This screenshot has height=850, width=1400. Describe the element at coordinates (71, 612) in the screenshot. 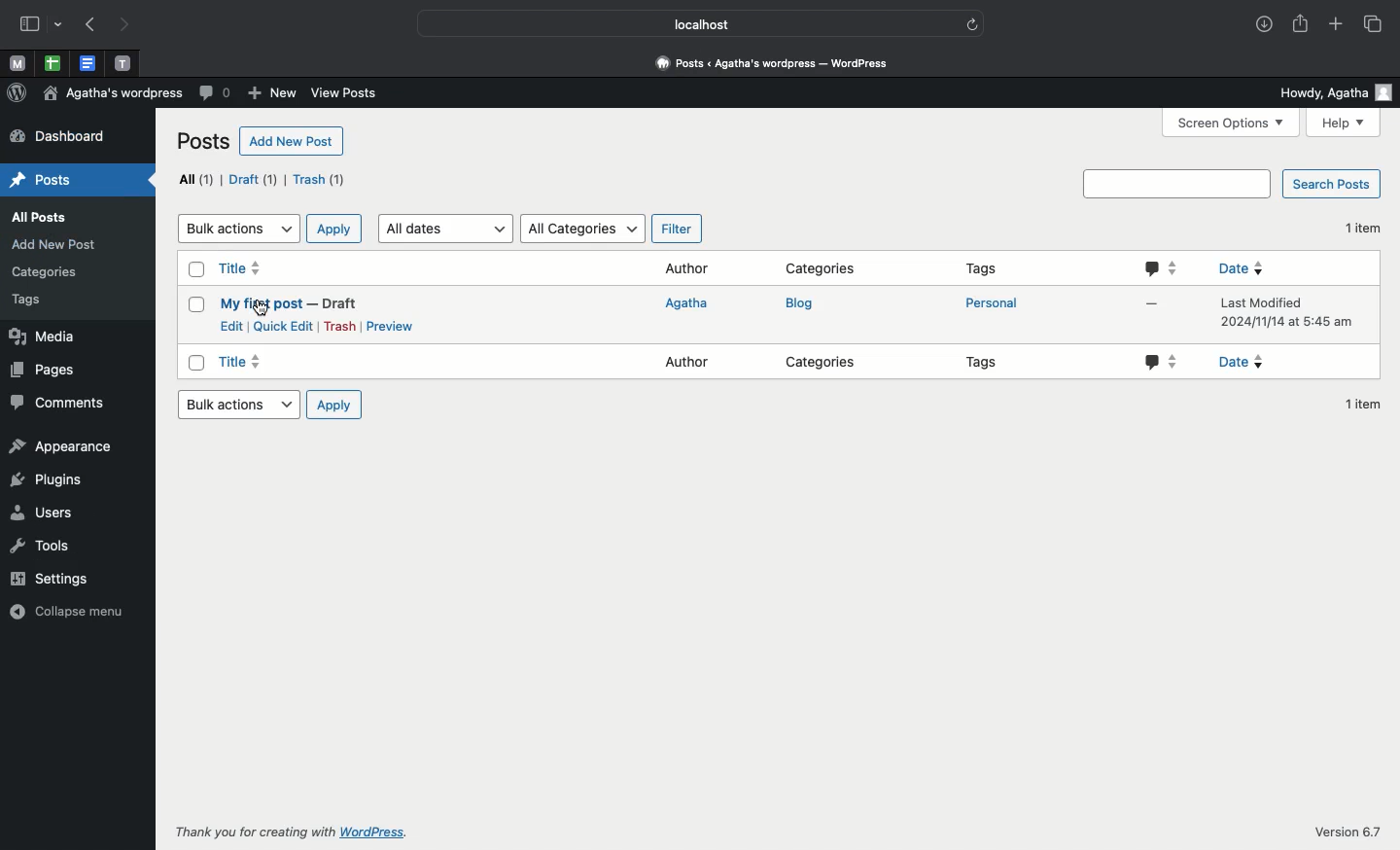

I see `Collapse menu` at that location.